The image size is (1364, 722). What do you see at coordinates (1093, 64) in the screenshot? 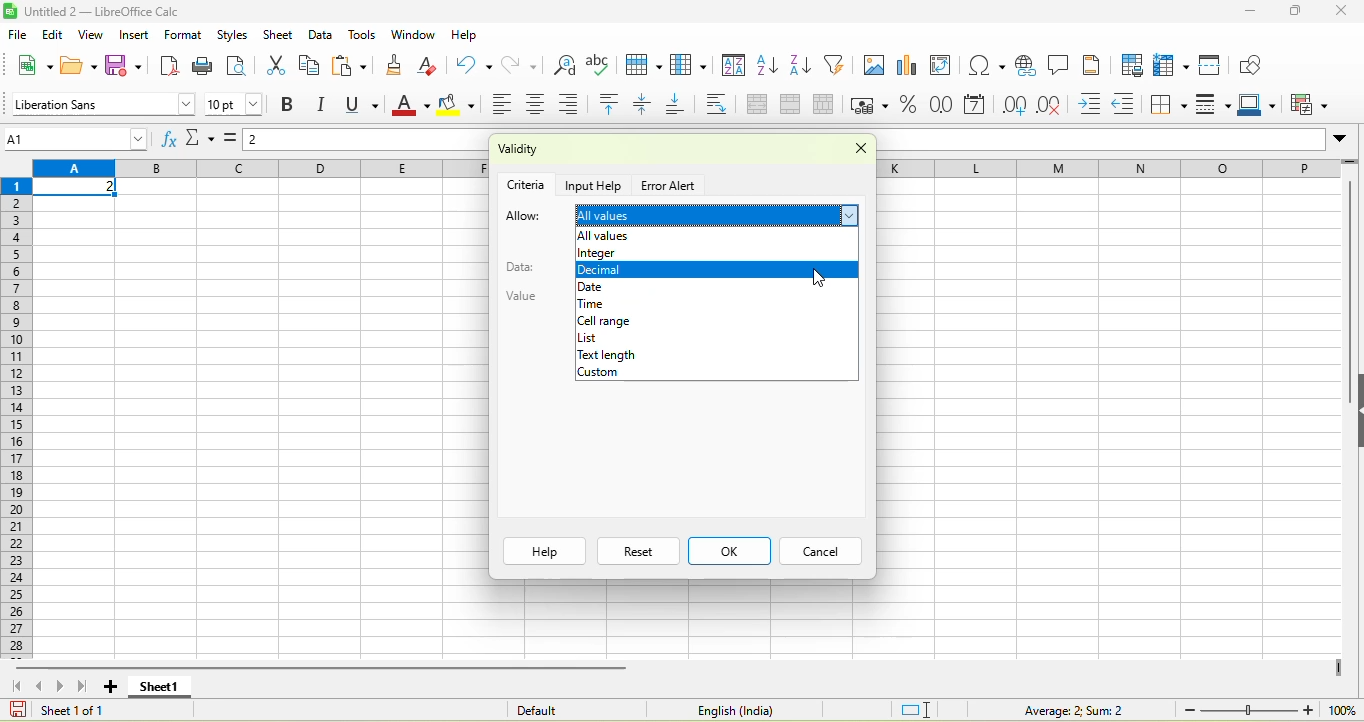
I see `headers and footers` at bounding box center [1093, 64].